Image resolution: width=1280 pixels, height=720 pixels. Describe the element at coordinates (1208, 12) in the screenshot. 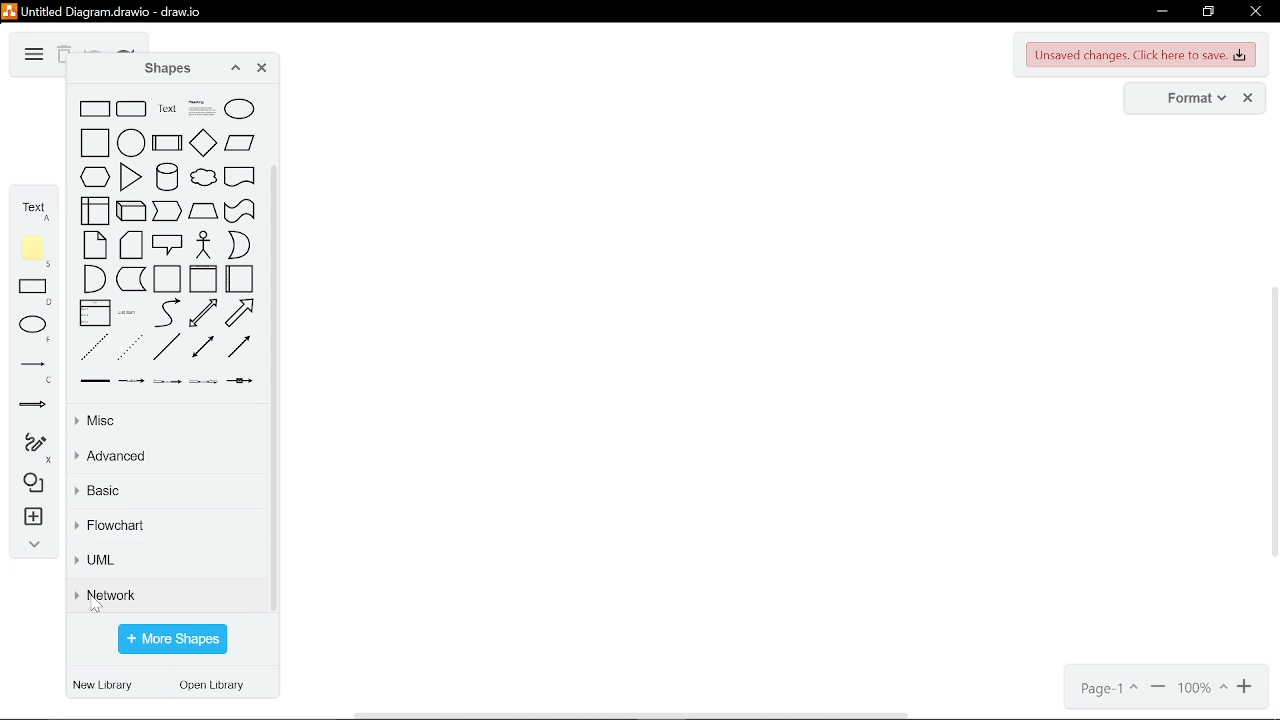

I see `restore down` at that location.